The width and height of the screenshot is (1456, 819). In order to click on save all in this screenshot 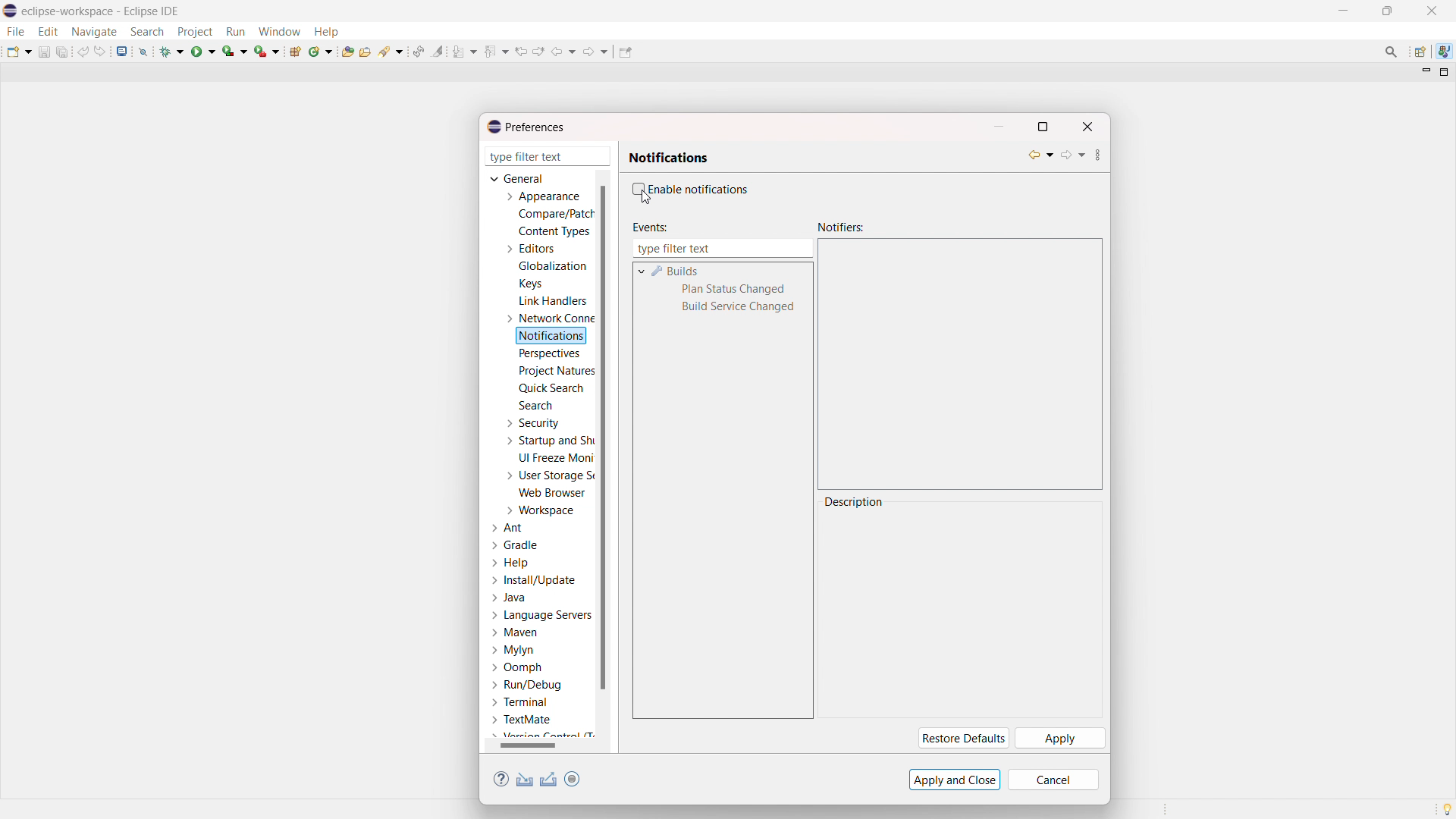, I will do `click(64, 51)`.